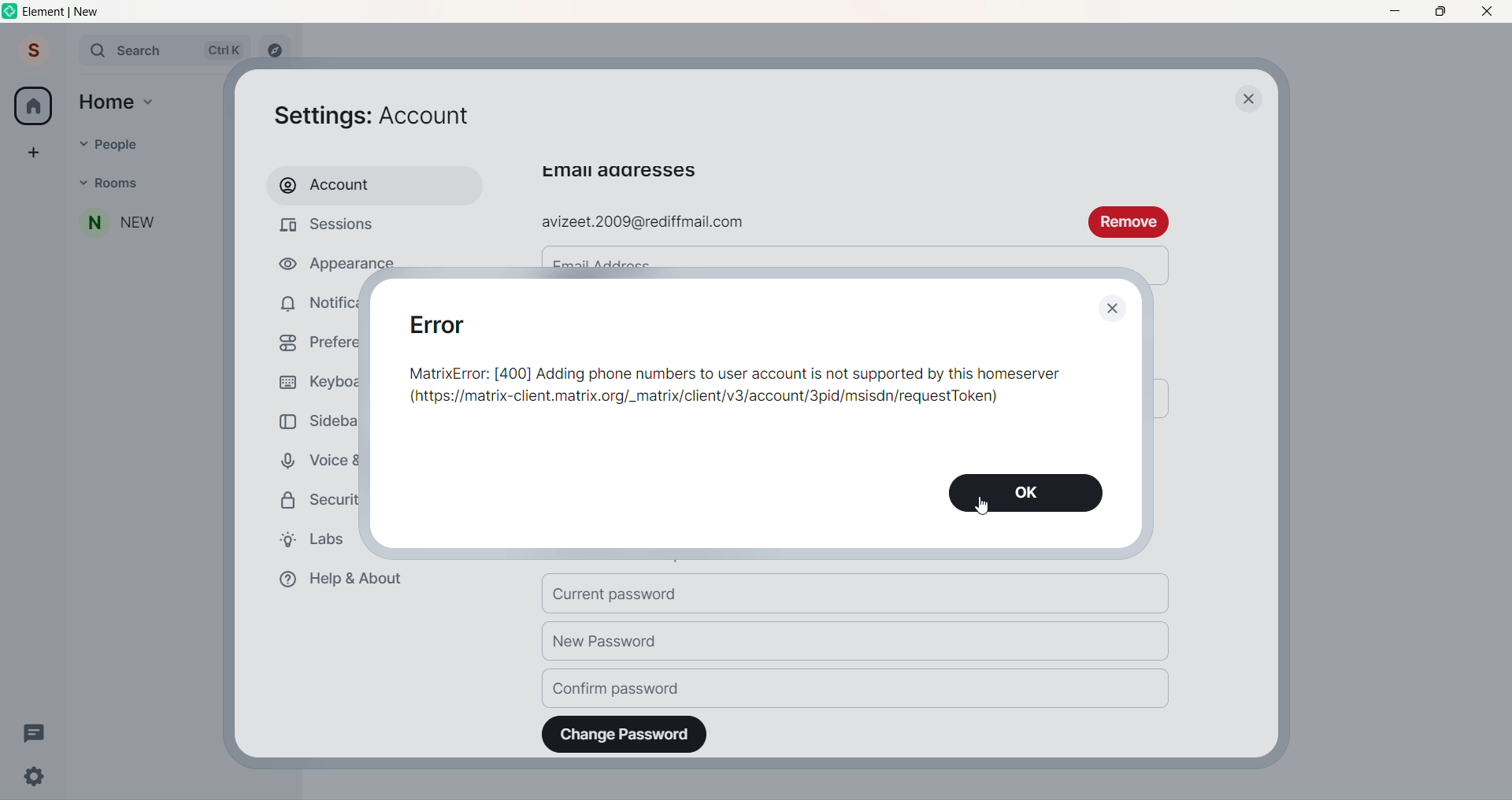 The width and height of the screenshot is (1512, 800). Describe the element at coordinates (1025, 493) in the screenshot. I see `Ok` at that location.